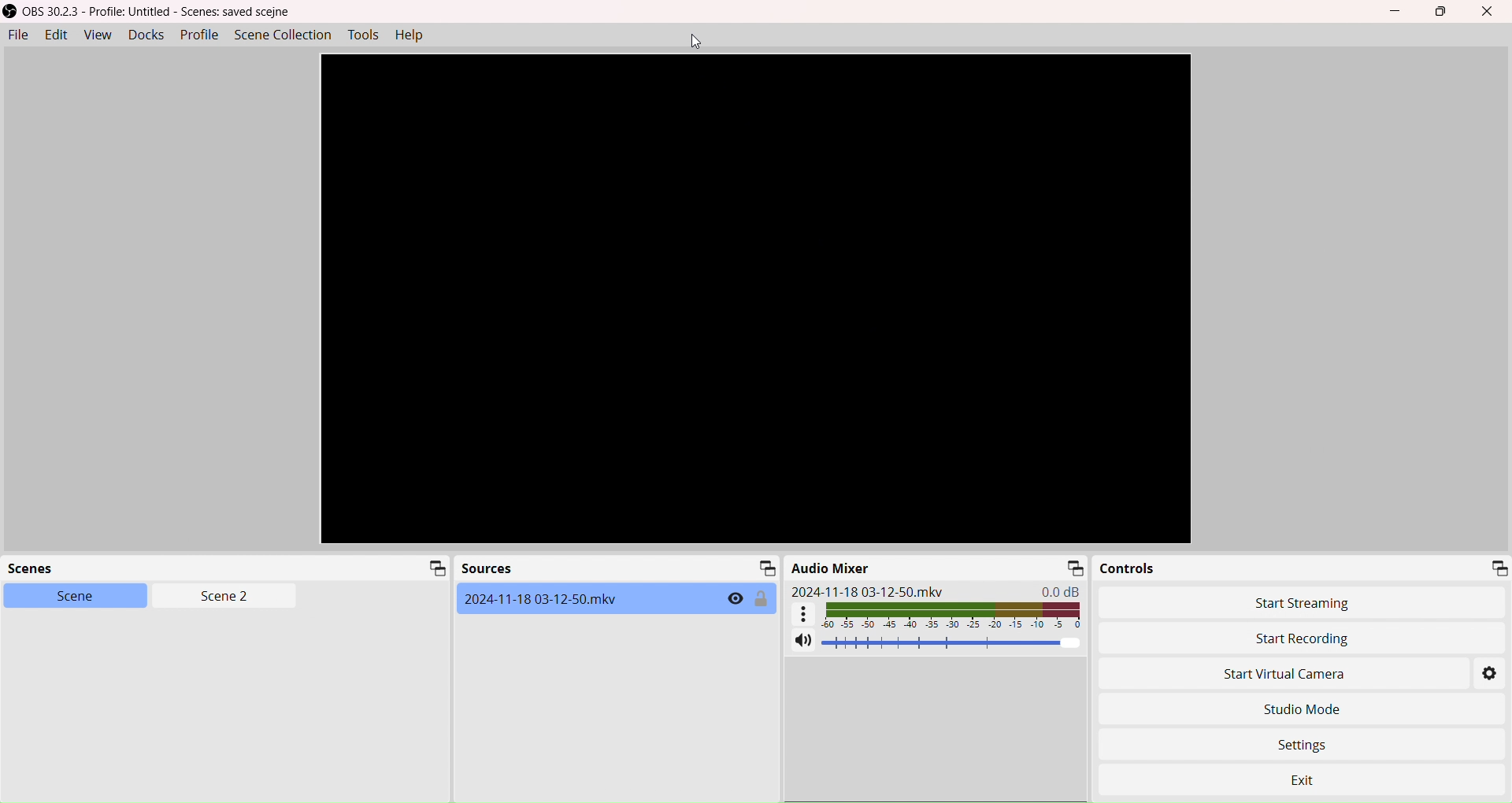  I want to click on File, so click(17, 35).